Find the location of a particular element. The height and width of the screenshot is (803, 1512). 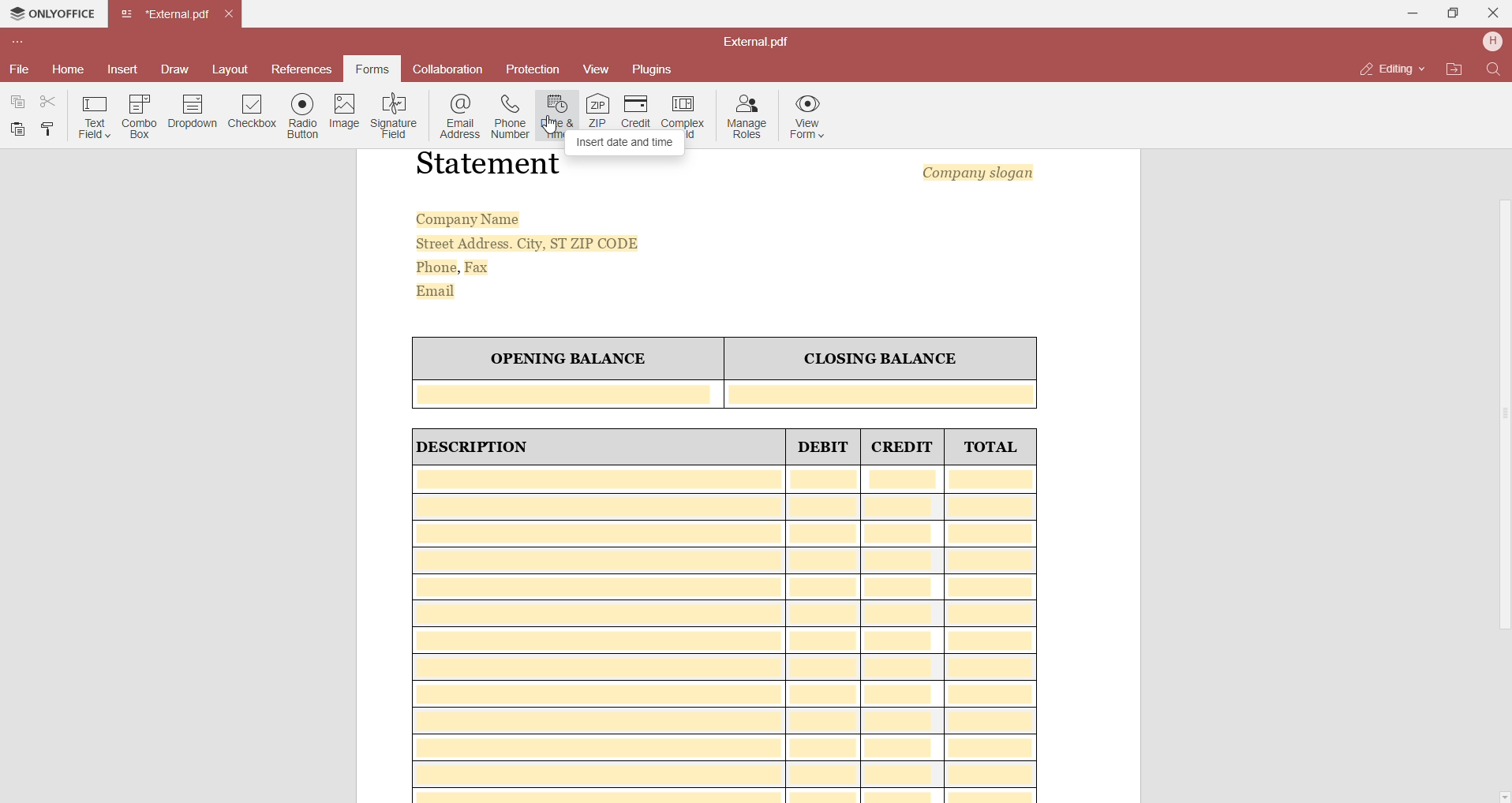

Text Field is located at coordinates (94, 118).